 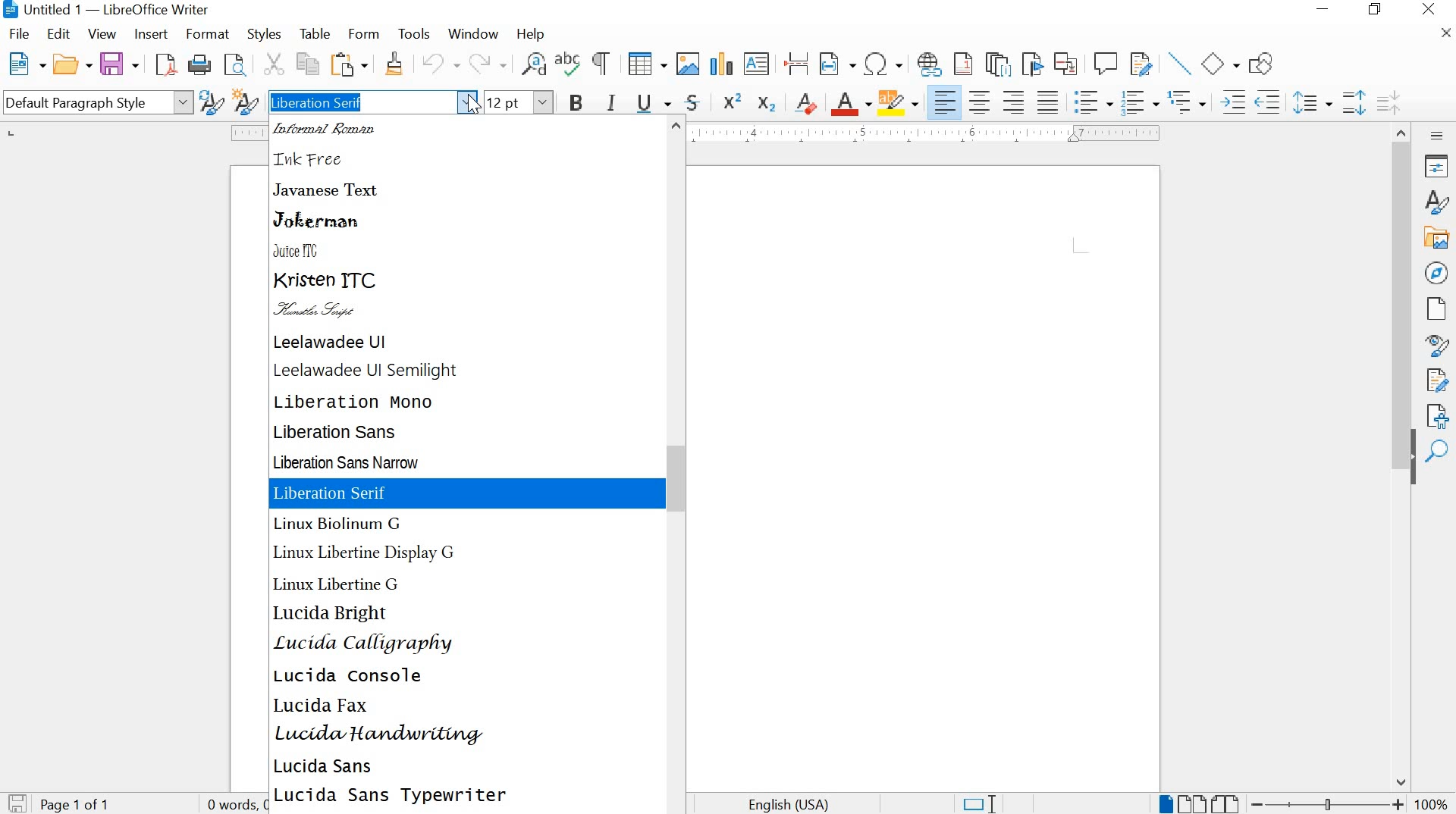 What do you see at coordinates (246, 101) in the screenshot?
I see `NEW STYLE FROM SELECTION` at bounding box center [246, 101].